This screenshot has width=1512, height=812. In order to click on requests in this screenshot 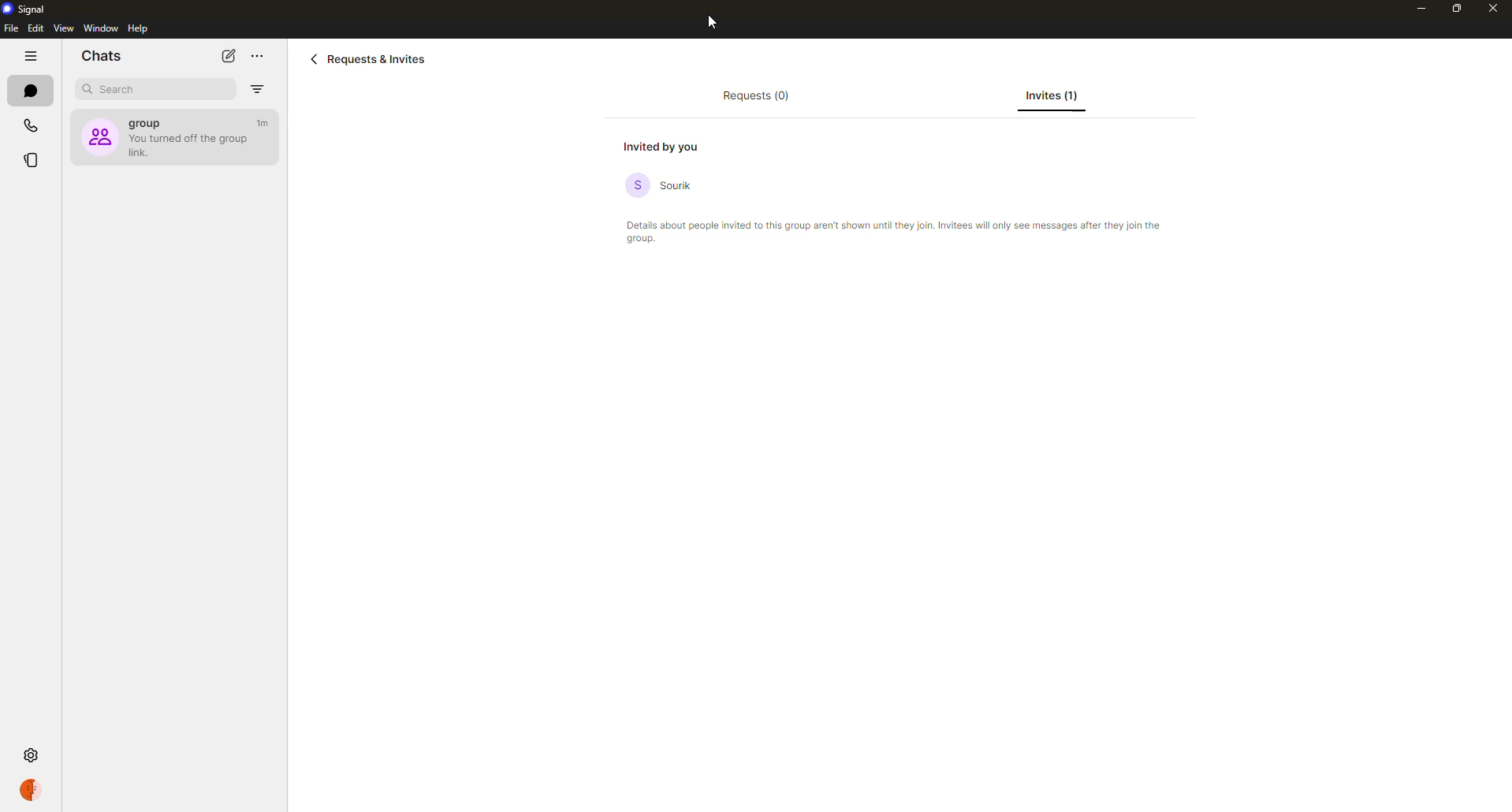, I will do `click(754, 98)`.